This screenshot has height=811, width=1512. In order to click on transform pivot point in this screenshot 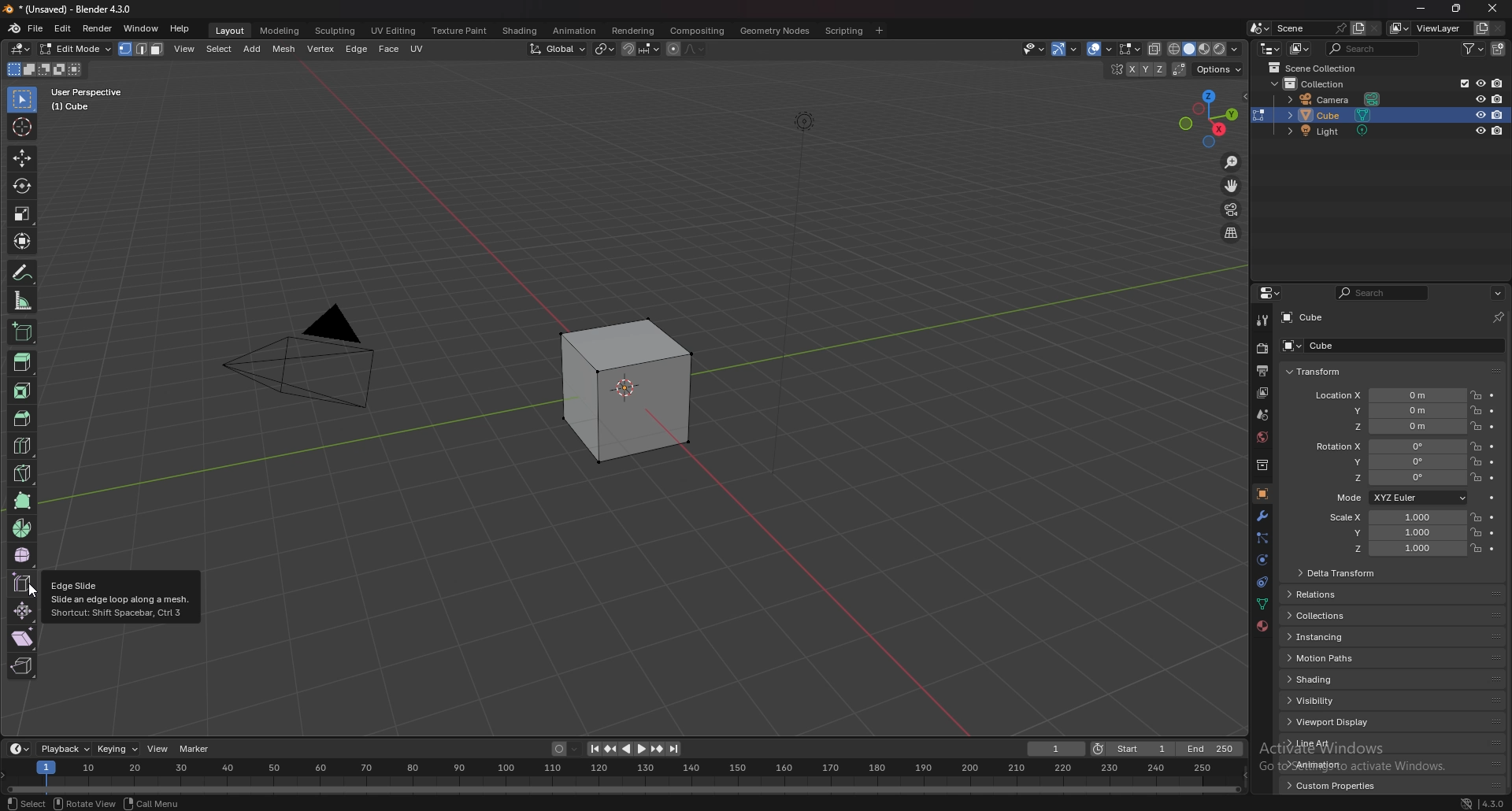, I will do `click(605, 49)`.